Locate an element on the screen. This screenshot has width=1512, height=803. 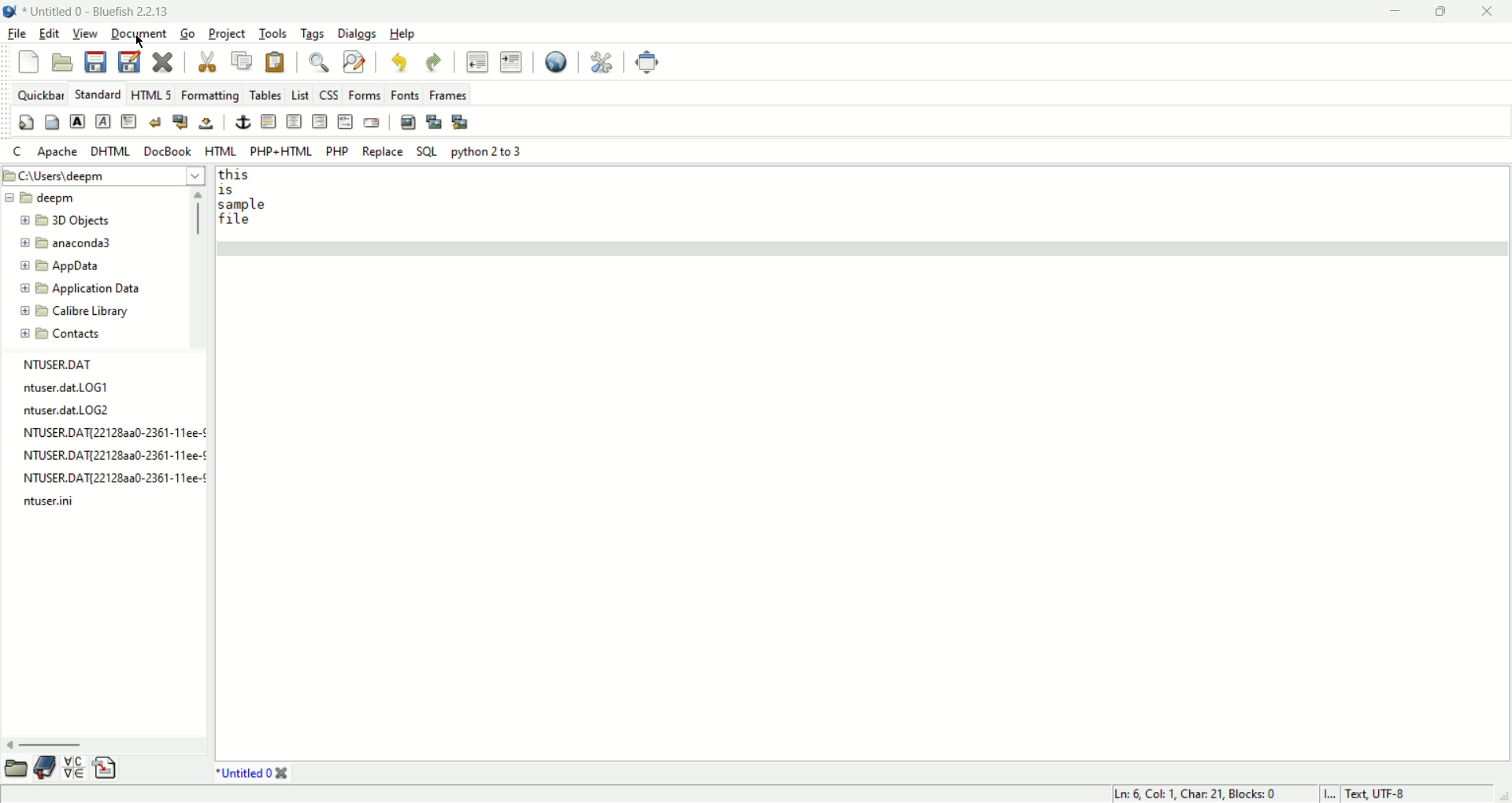
NTUSER.DAT is located at coordinates (61, 364).